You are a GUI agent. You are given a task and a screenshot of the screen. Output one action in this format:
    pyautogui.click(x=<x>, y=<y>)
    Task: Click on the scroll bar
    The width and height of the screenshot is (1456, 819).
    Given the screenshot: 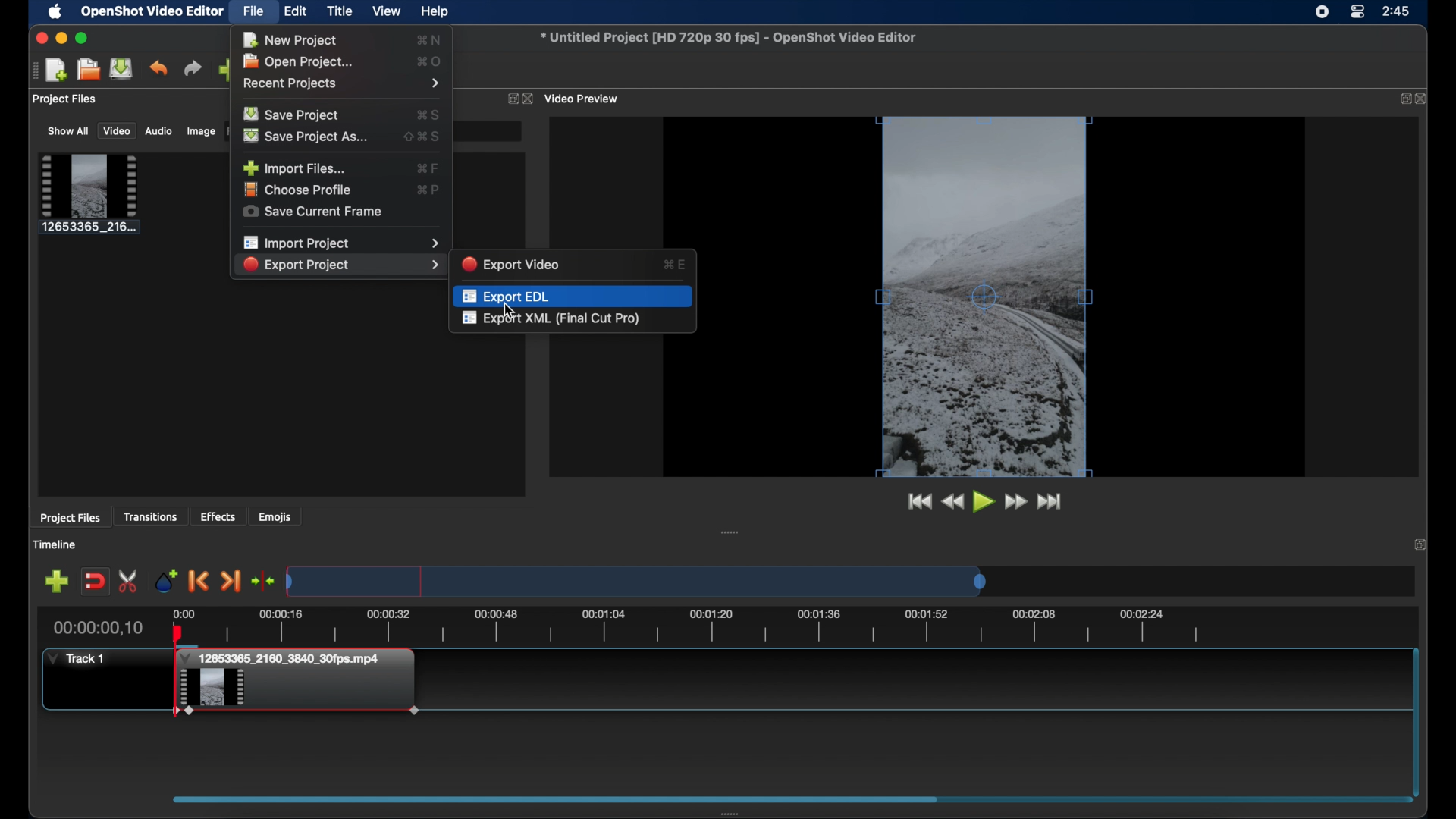 What is the action you would take?
    pyautogui.click(x=1415, y=719)
    